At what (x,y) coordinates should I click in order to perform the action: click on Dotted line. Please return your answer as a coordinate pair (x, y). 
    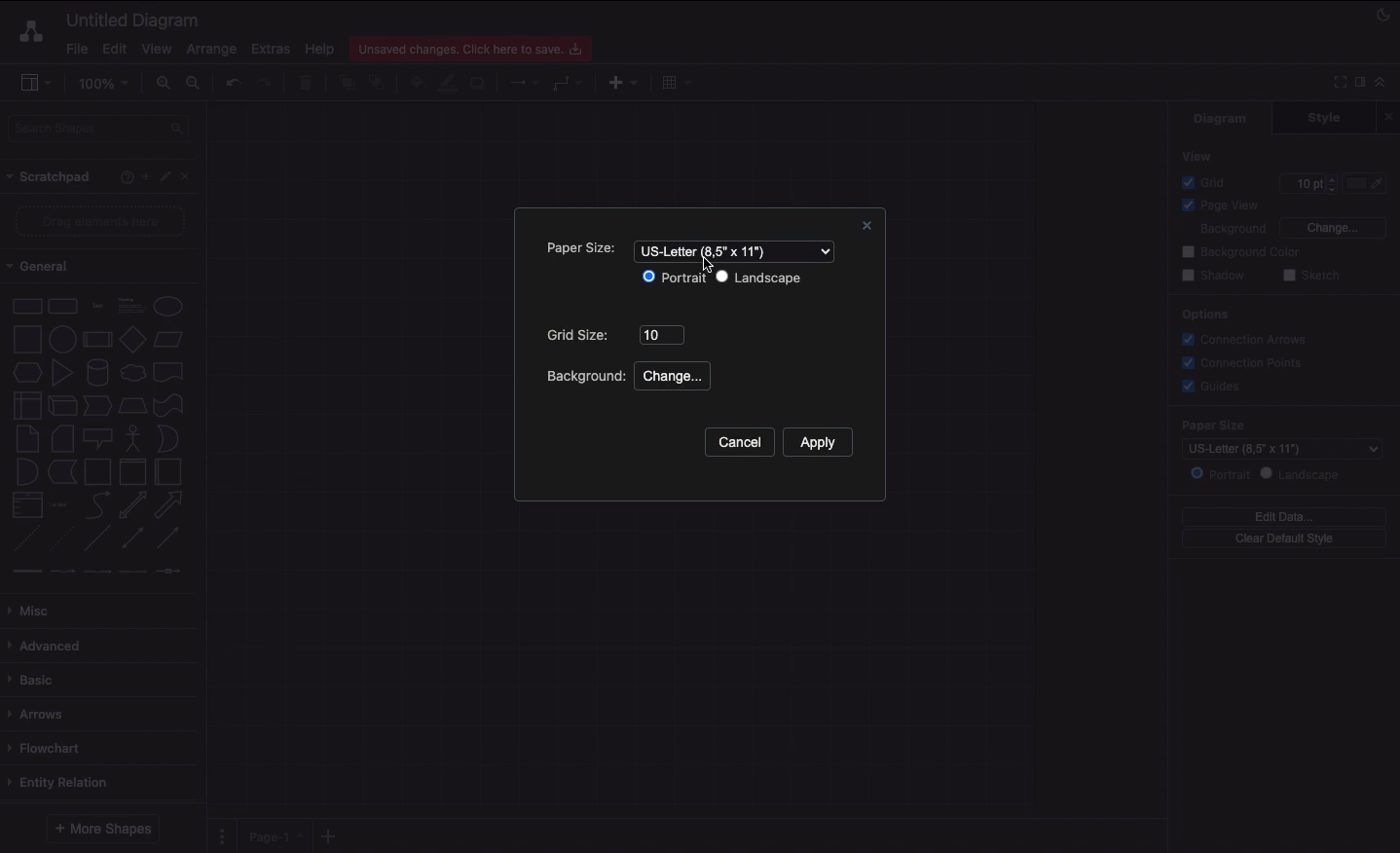
    Looking at the image, I should click on (61, 540).